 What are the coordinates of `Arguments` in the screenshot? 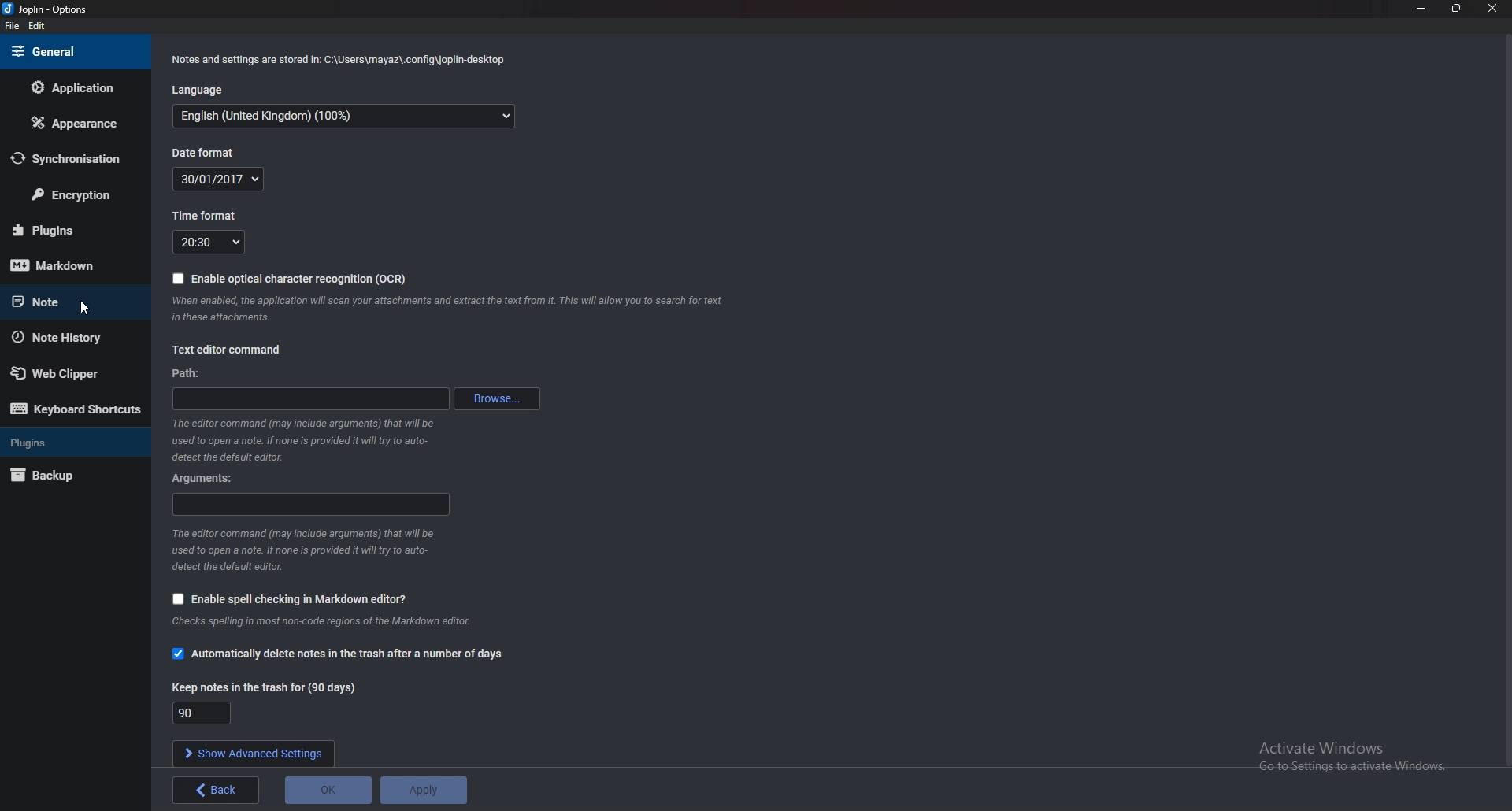 It's located at (202, 479).